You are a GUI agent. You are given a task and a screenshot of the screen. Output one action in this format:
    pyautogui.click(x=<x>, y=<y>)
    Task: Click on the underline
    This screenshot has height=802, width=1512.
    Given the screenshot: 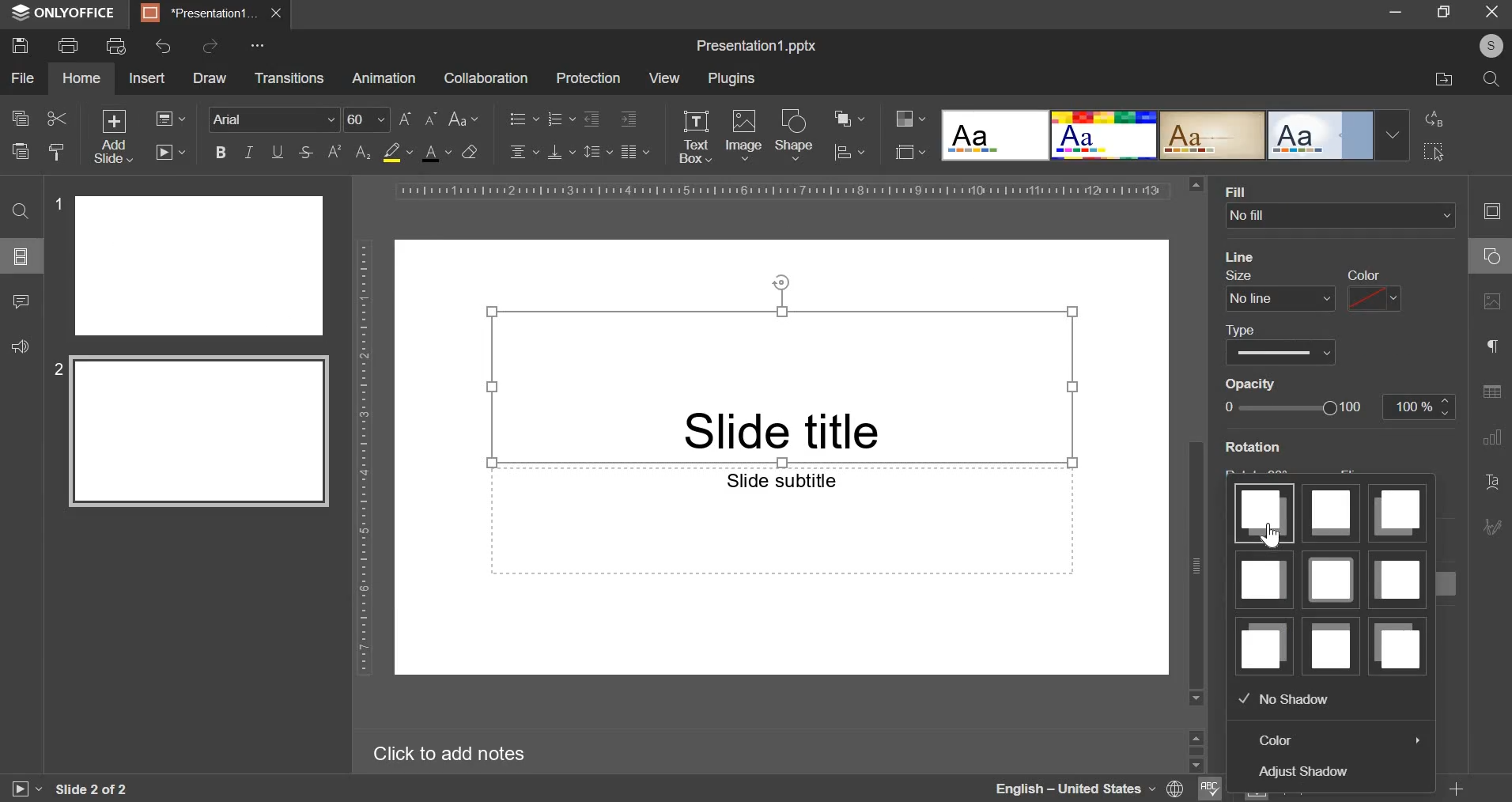 What is the action you would take?
    pyautogui.click(x=277, y=150)
    